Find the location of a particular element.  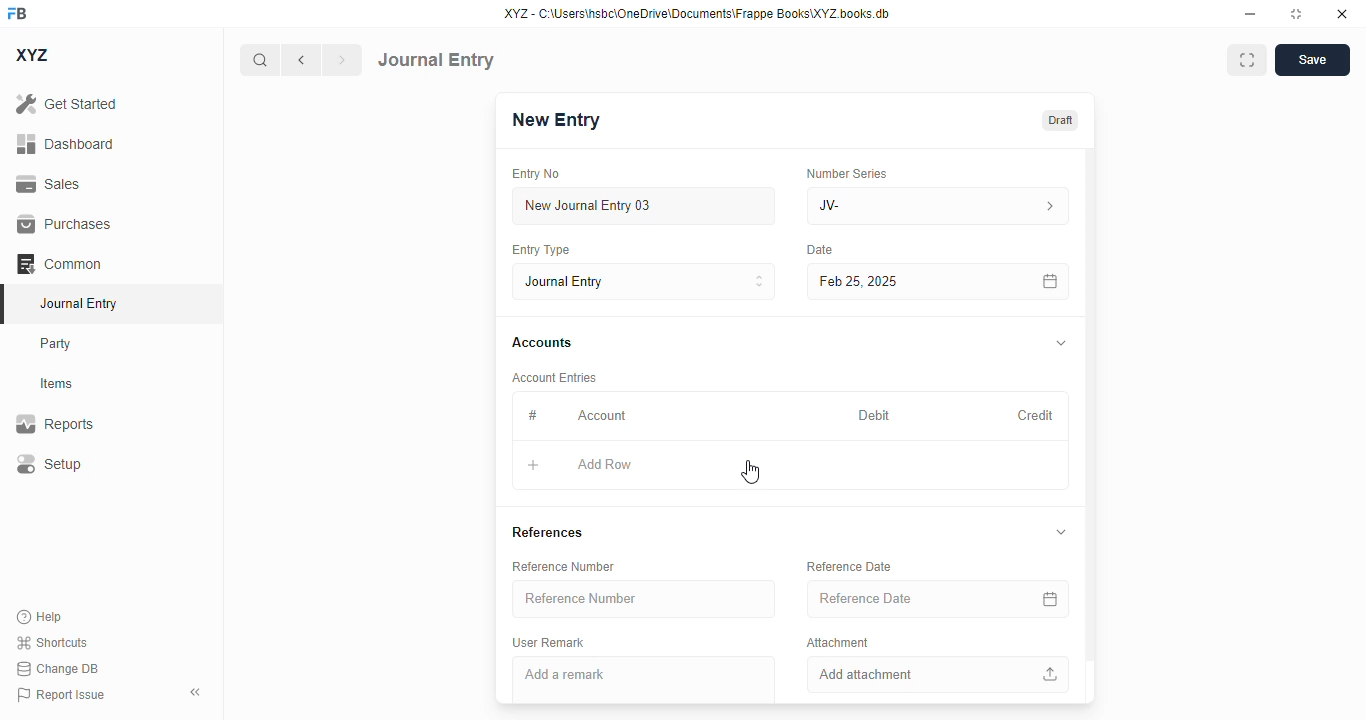

attachment is located at coordinates (838, 641).